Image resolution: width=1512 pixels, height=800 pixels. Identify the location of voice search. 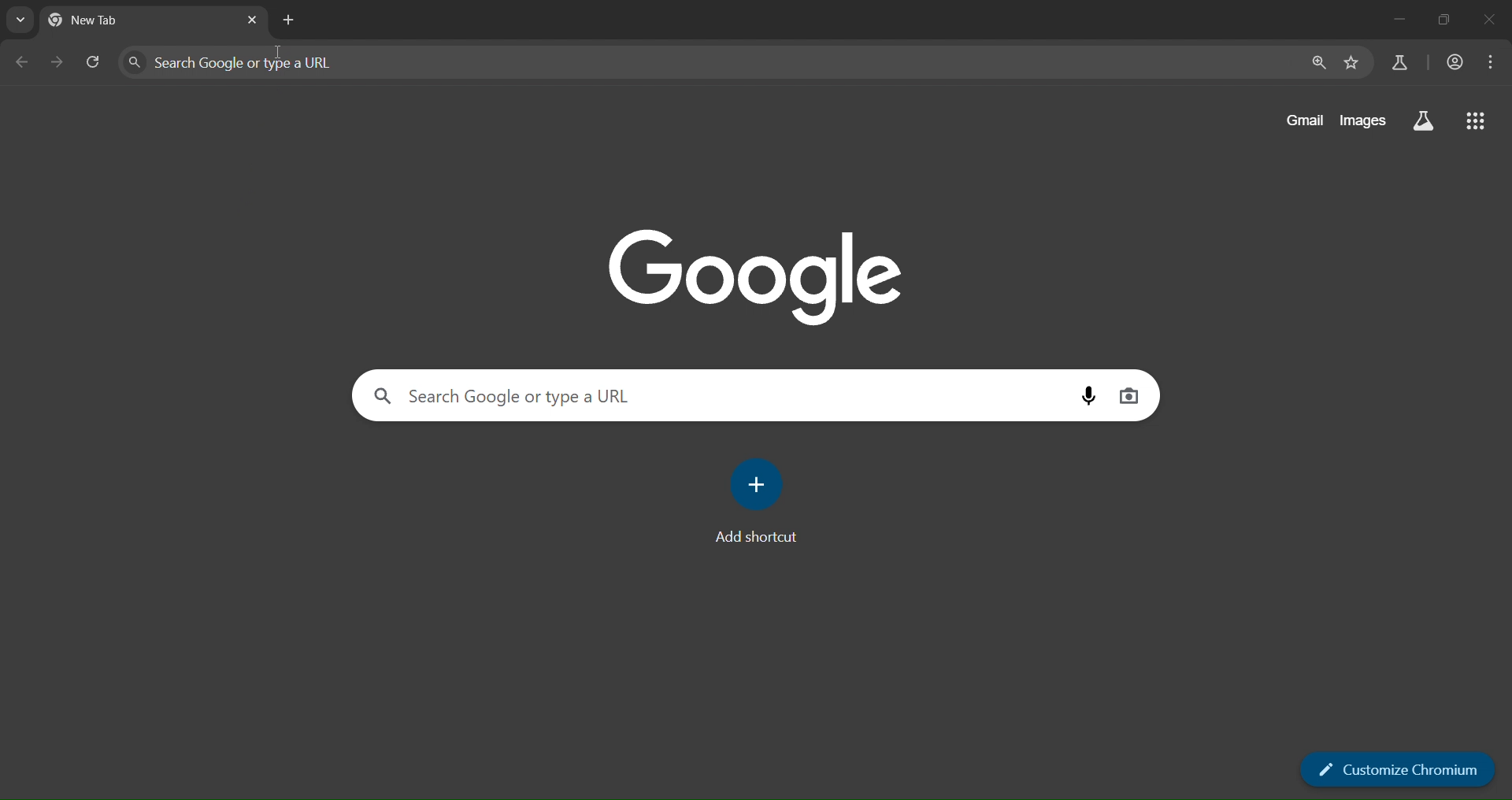
(1091, 395).